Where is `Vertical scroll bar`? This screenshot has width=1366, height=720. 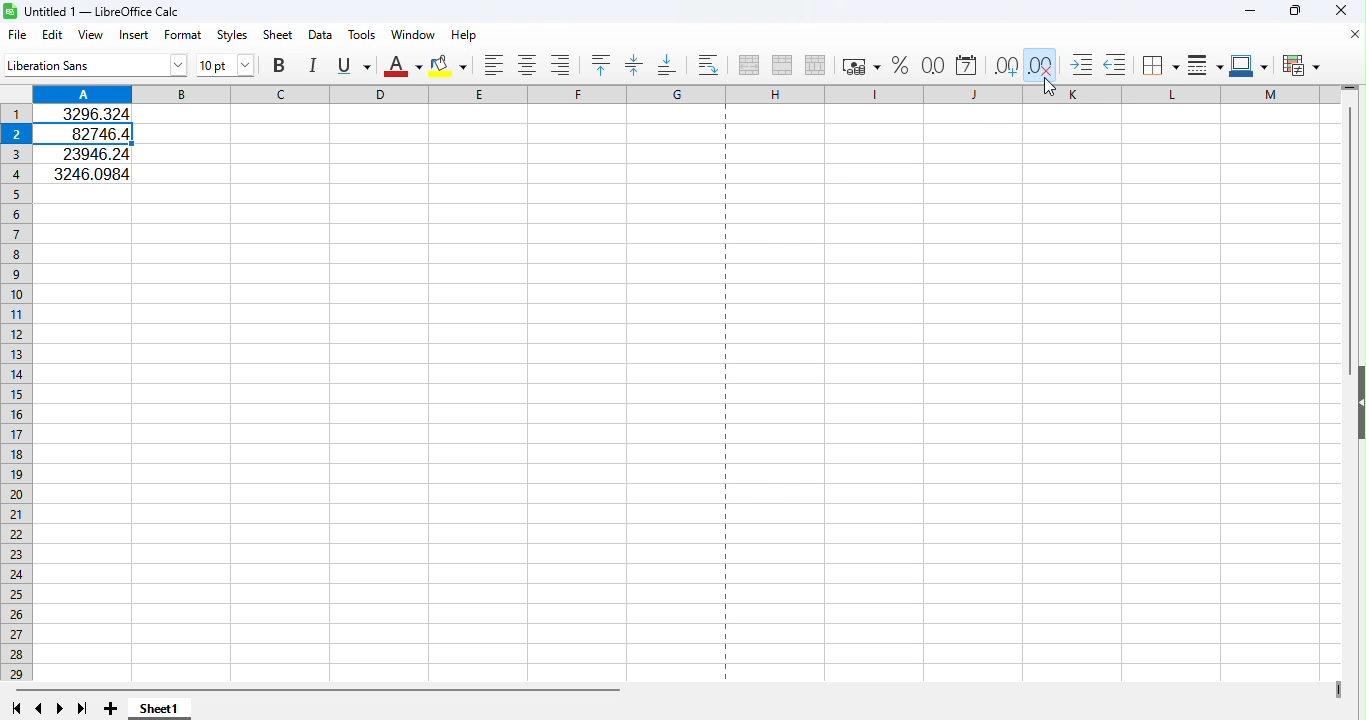 Vertical scroll bar is located at coordinates (1352, 209).